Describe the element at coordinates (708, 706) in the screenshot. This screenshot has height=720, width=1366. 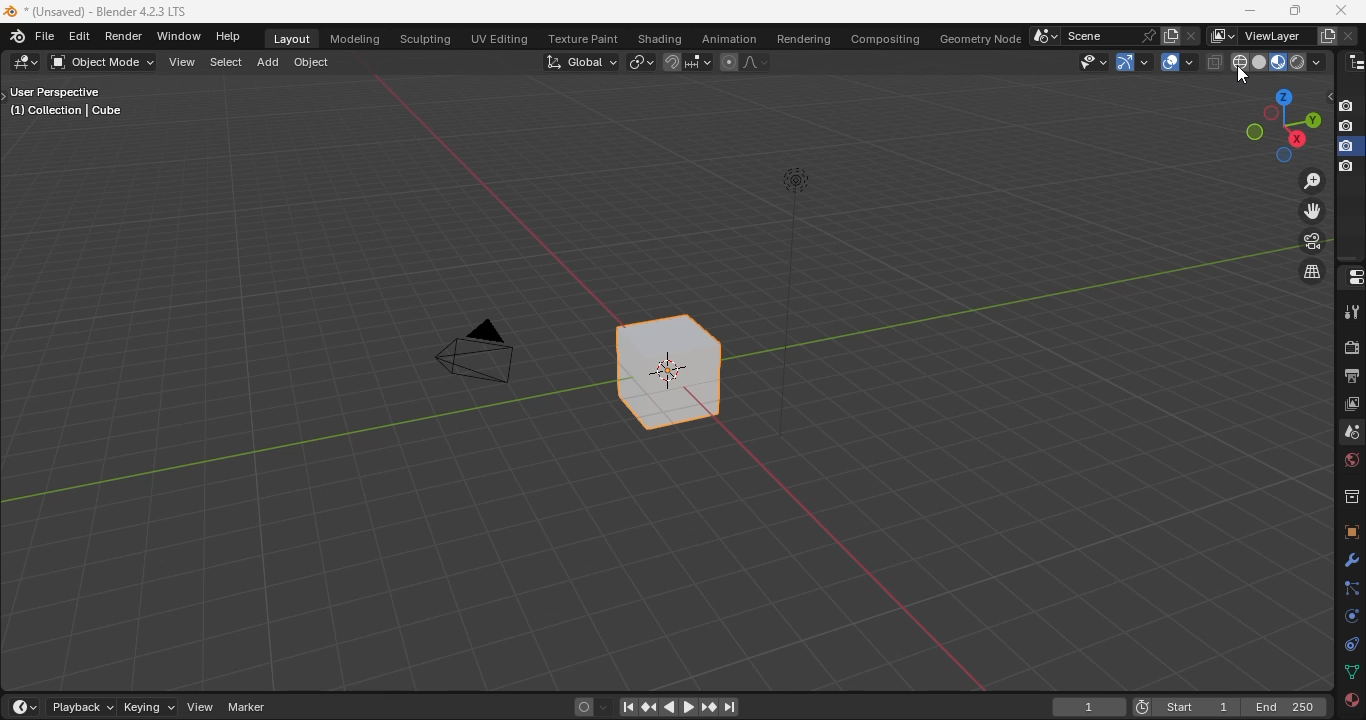
I see `jump to key frame` at that location.